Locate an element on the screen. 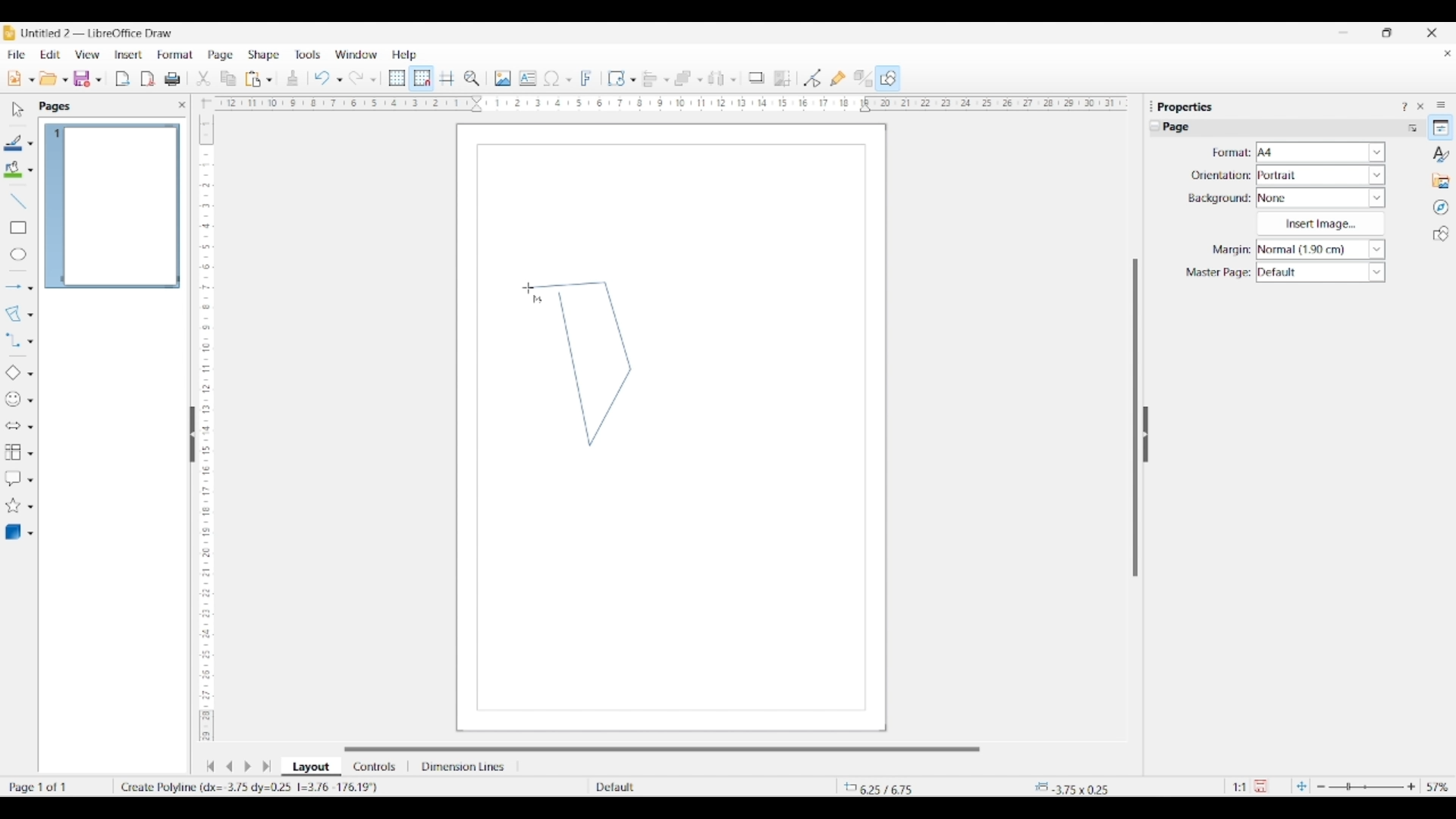 Image resolution: width=1456 pixels, height=819 pixels. Zoom in is located at coordinates (1411, 786).